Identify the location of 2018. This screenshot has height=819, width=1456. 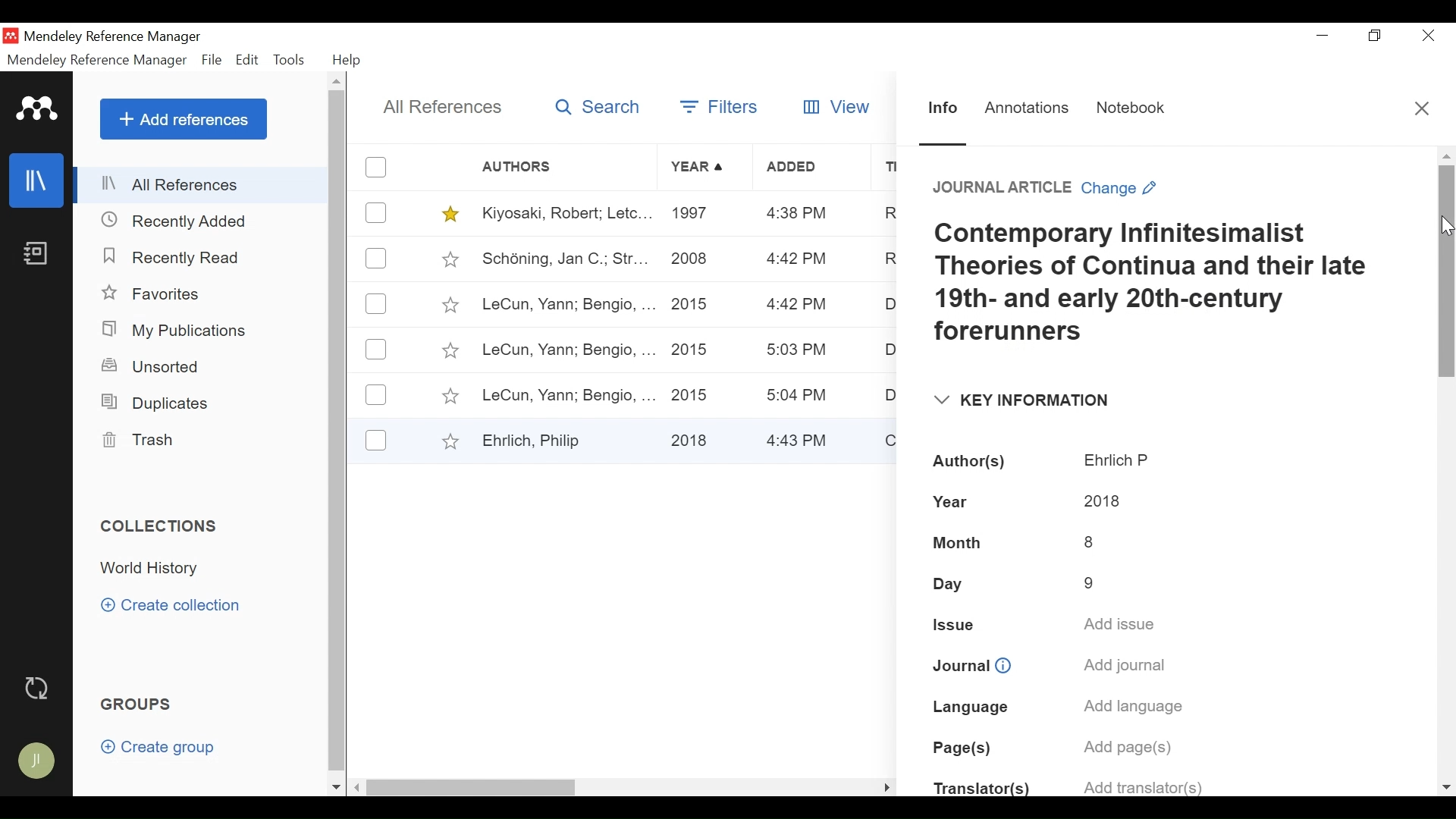
(1100, 500).